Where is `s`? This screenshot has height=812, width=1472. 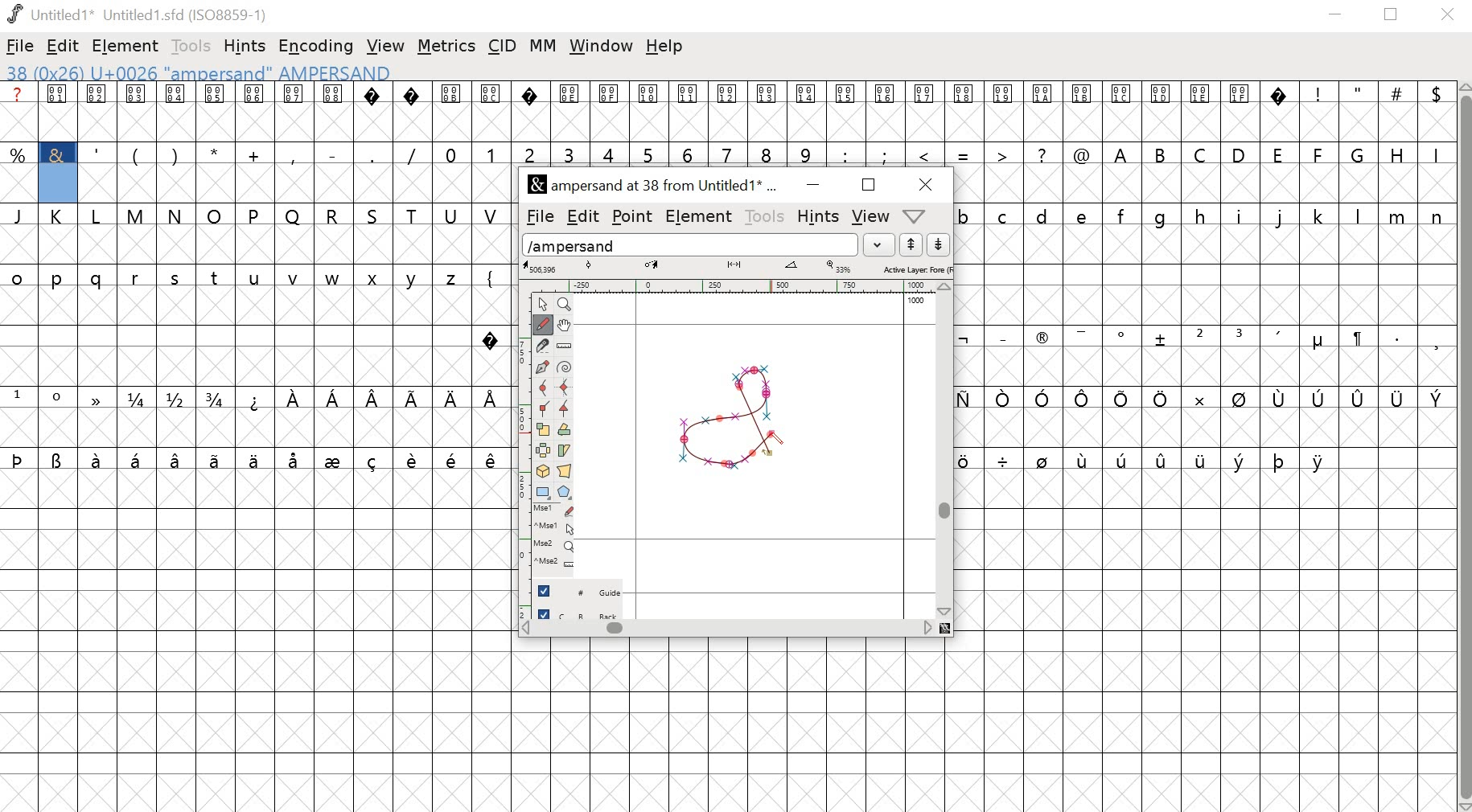
s is located at coordinates (175, 278).